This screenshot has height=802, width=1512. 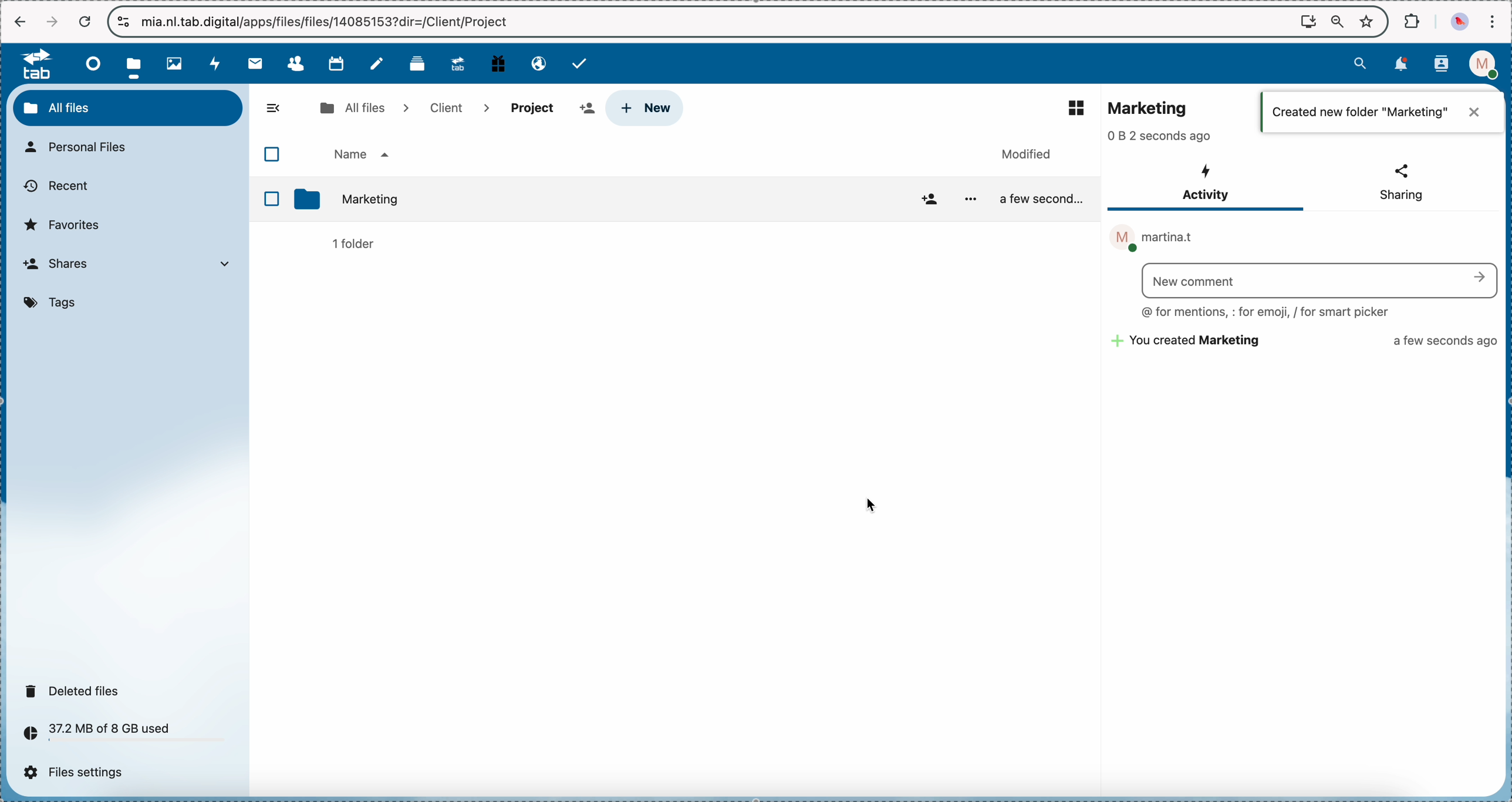 What do you see at coordinates (93, 735) in the screenshot?
I see `37.2 MB of 8 GB` at bounding box center [93, 735].